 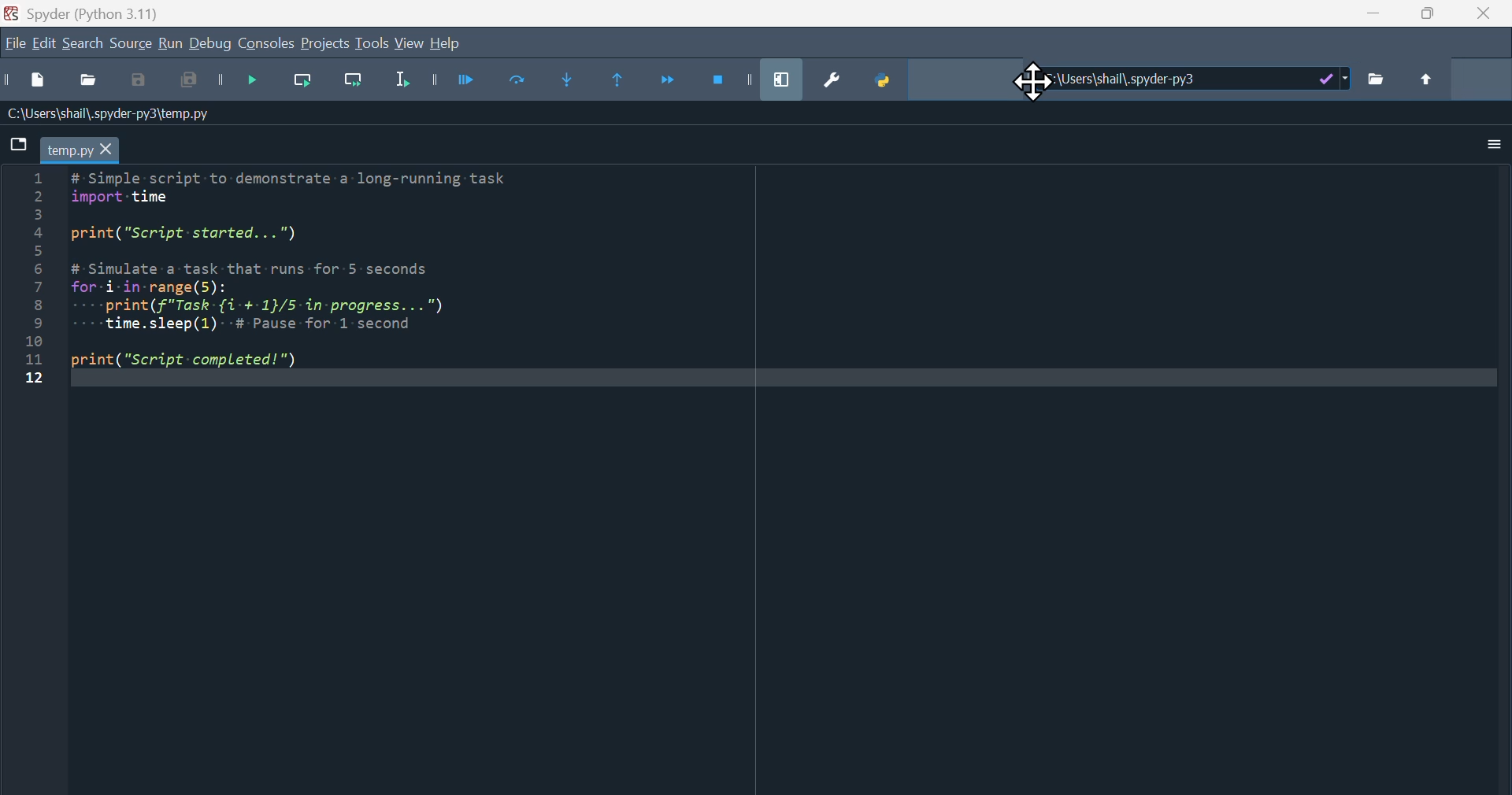 I want to click on View, so click(x=413, y=46).